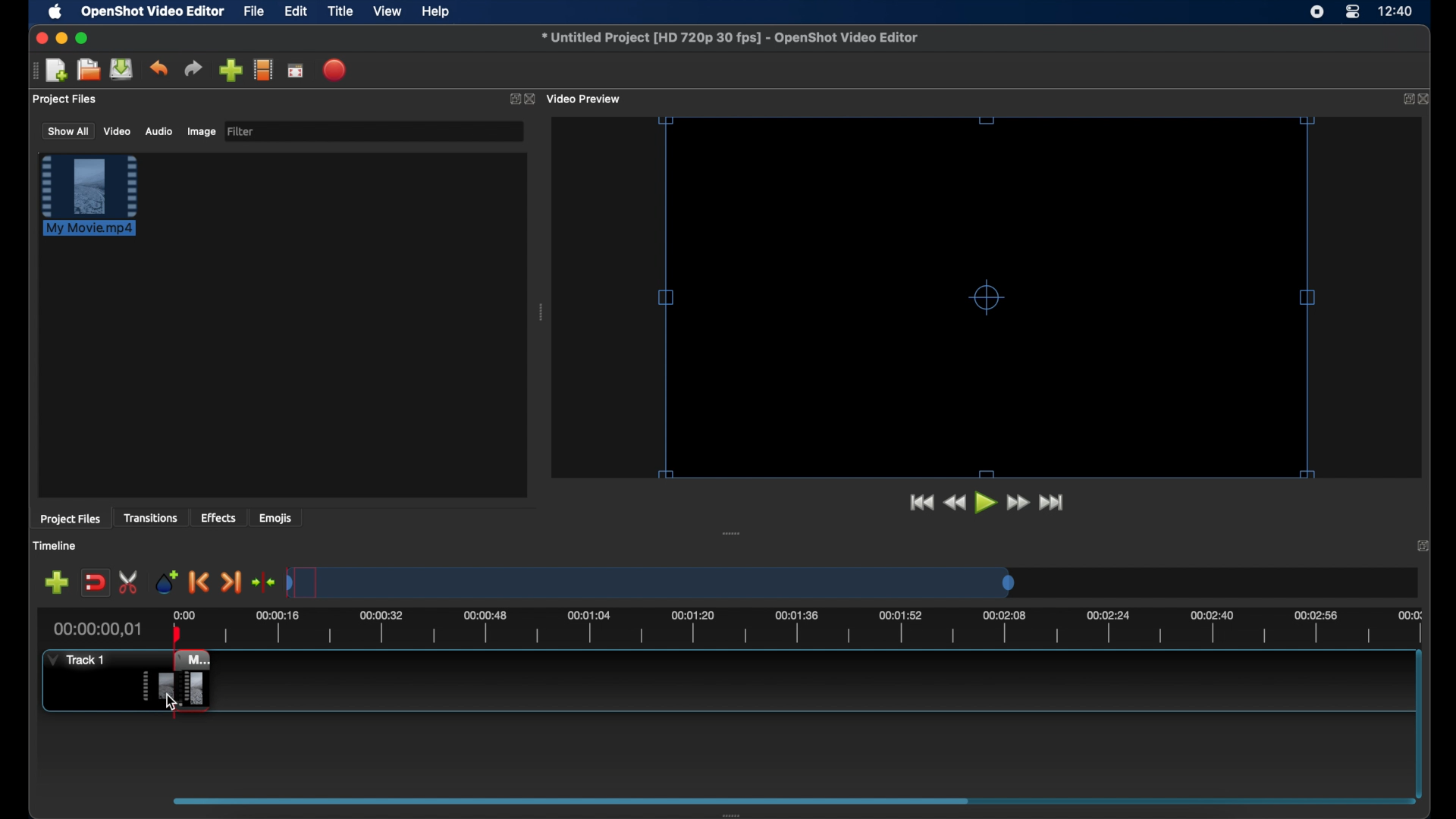  Describe the element at coordinates (165, 581) in the screenshot. I see `add marker` at that location.